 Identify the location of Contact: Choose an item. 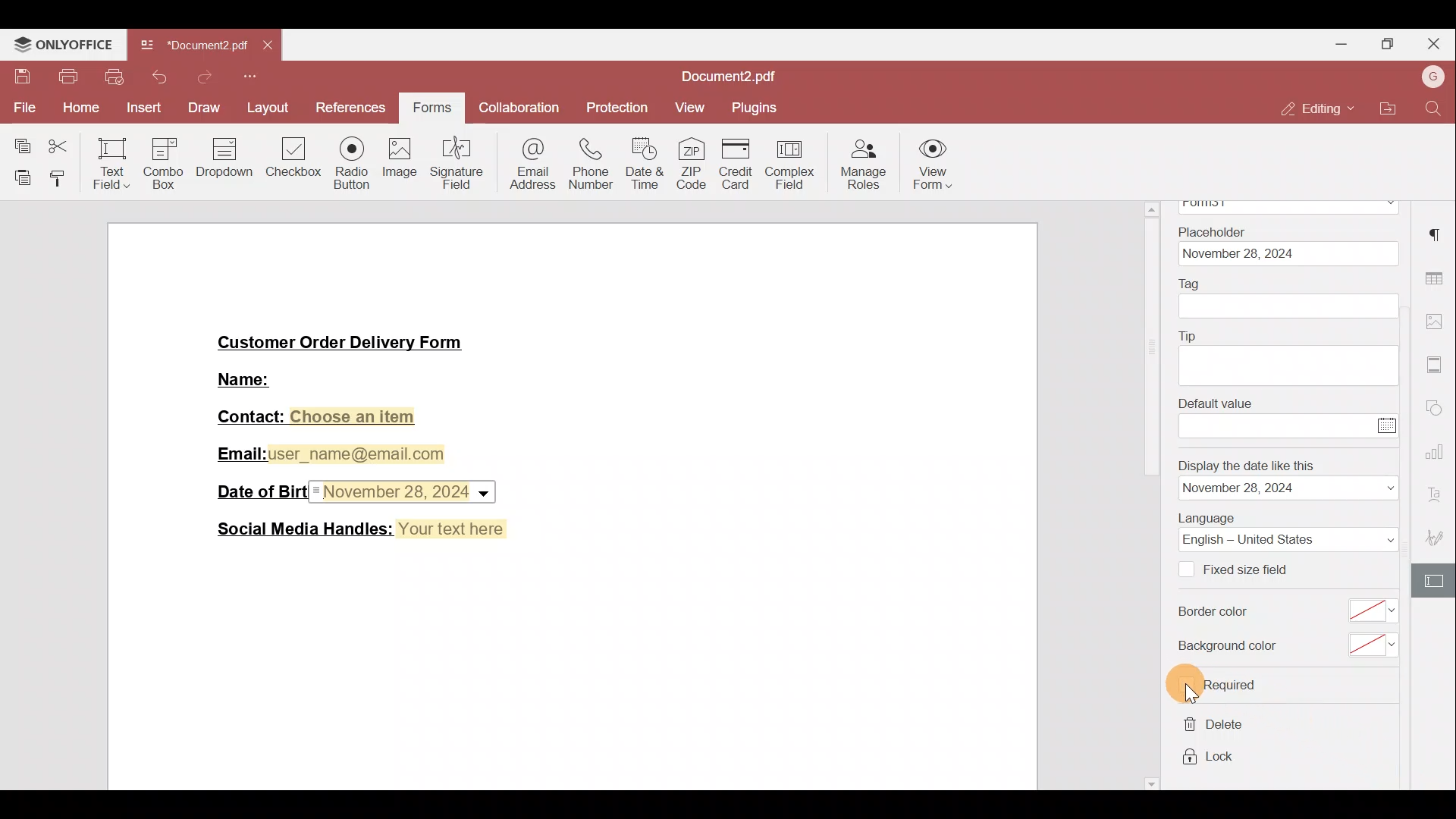
(318, 418).